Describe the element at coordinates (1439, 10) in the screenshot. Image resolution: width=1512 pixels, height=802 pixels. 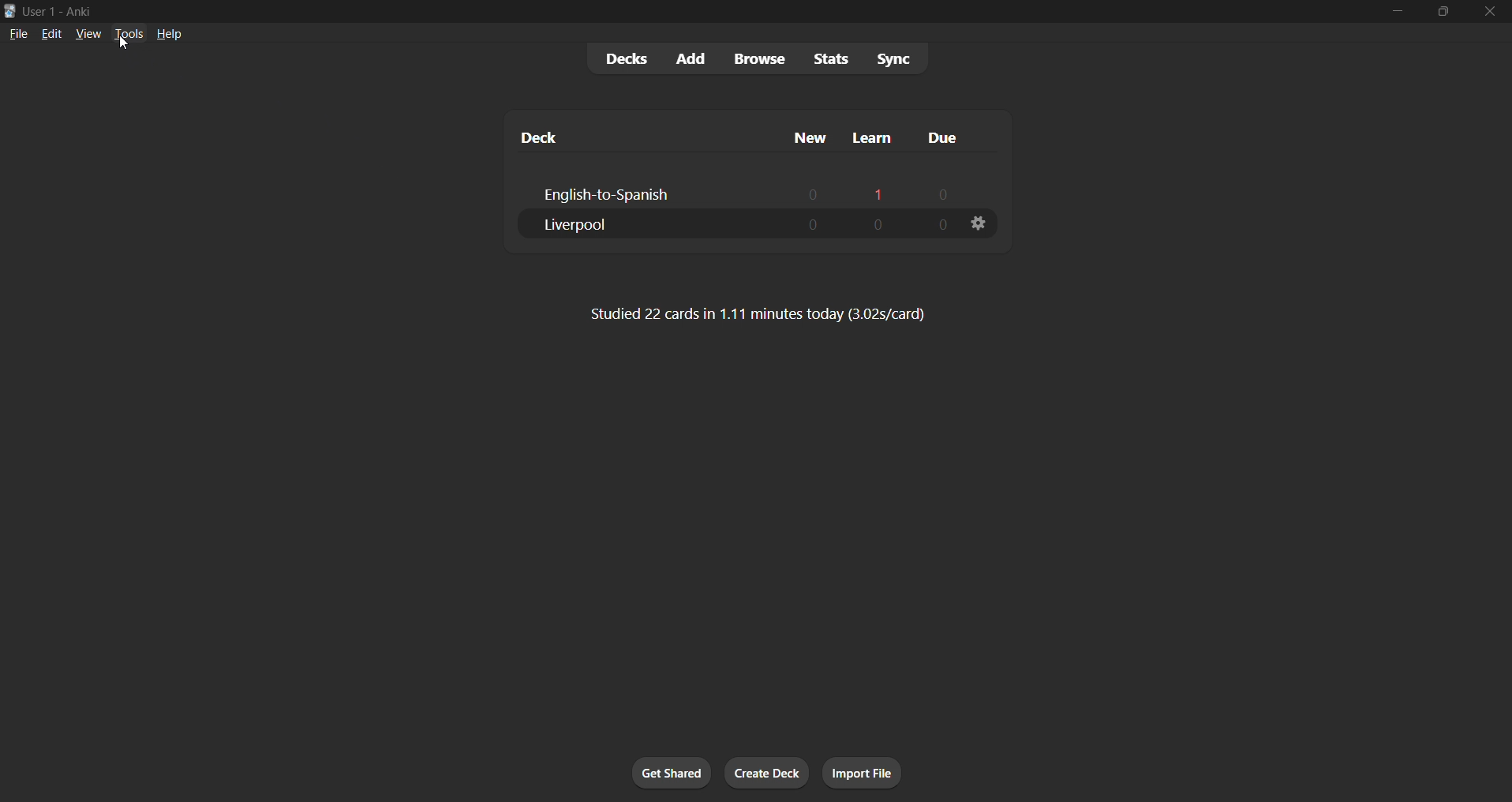
I see `maximize/restore` at that location.